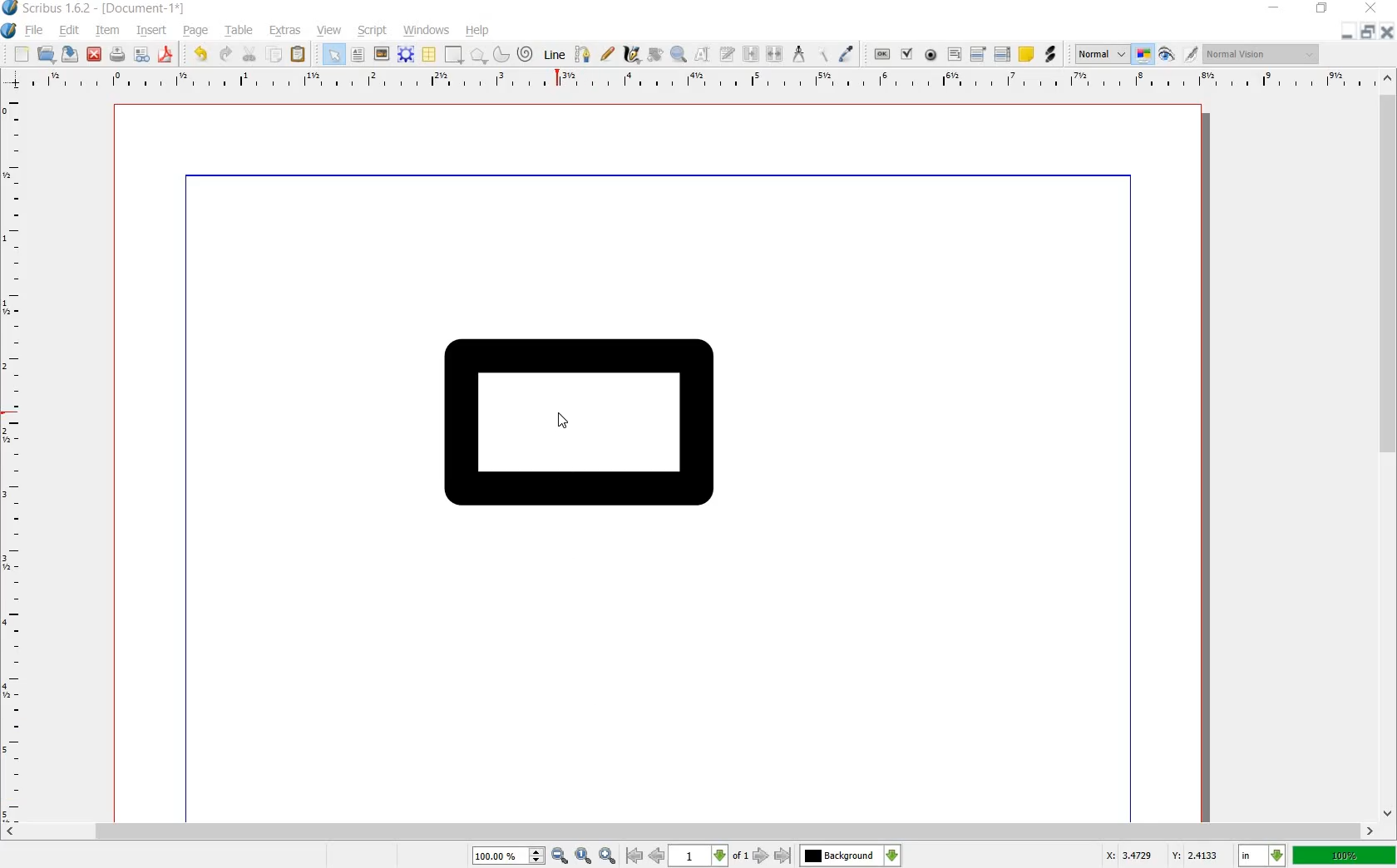 The height and width of the screenshot is (868, 1397). I want to click on open, so click(46, 55).